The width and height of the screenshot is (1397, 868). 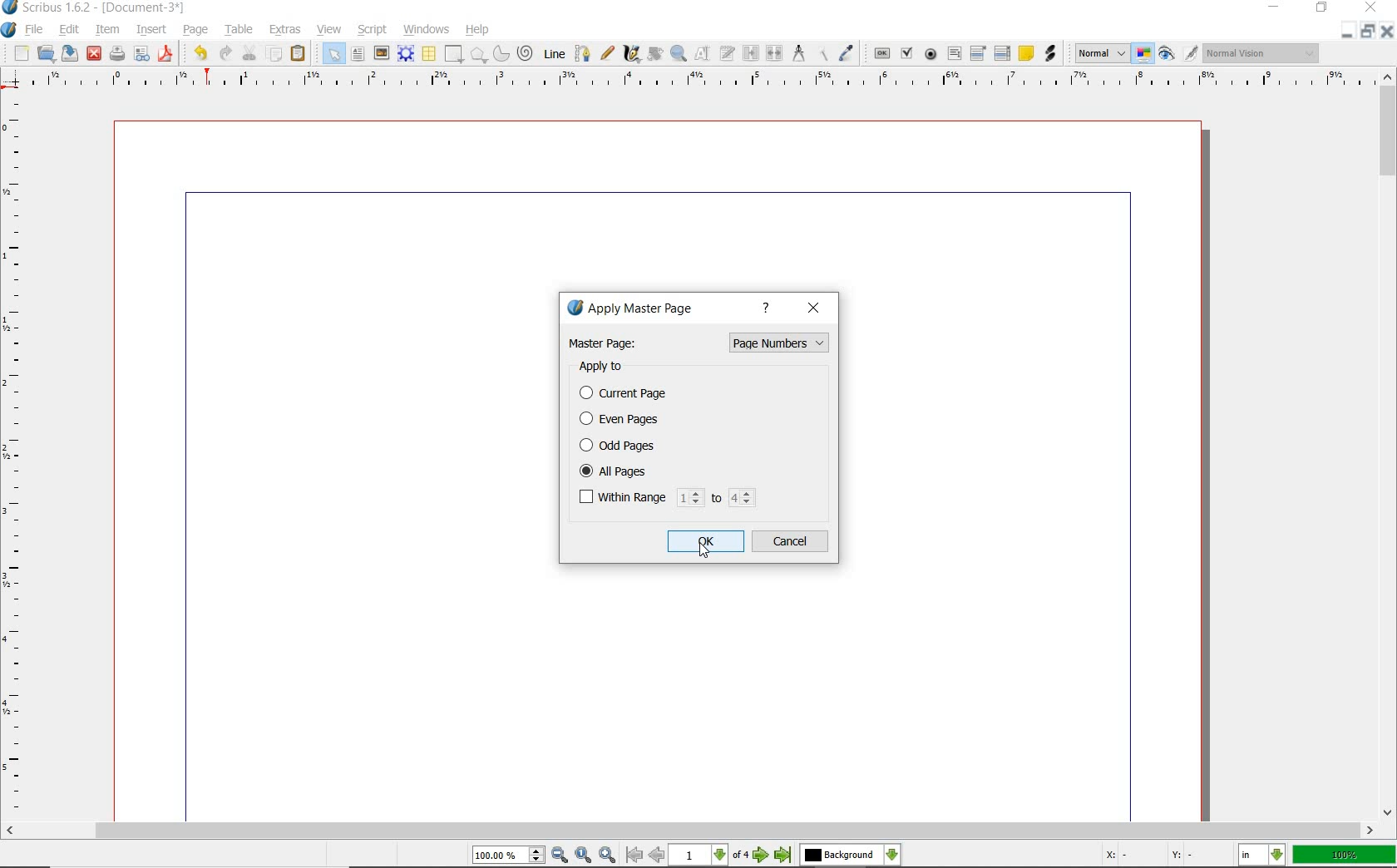 What do you see at coordinates (783, 857) in the screenshot?
I see `Last Page` at bounding box center [783, 857].